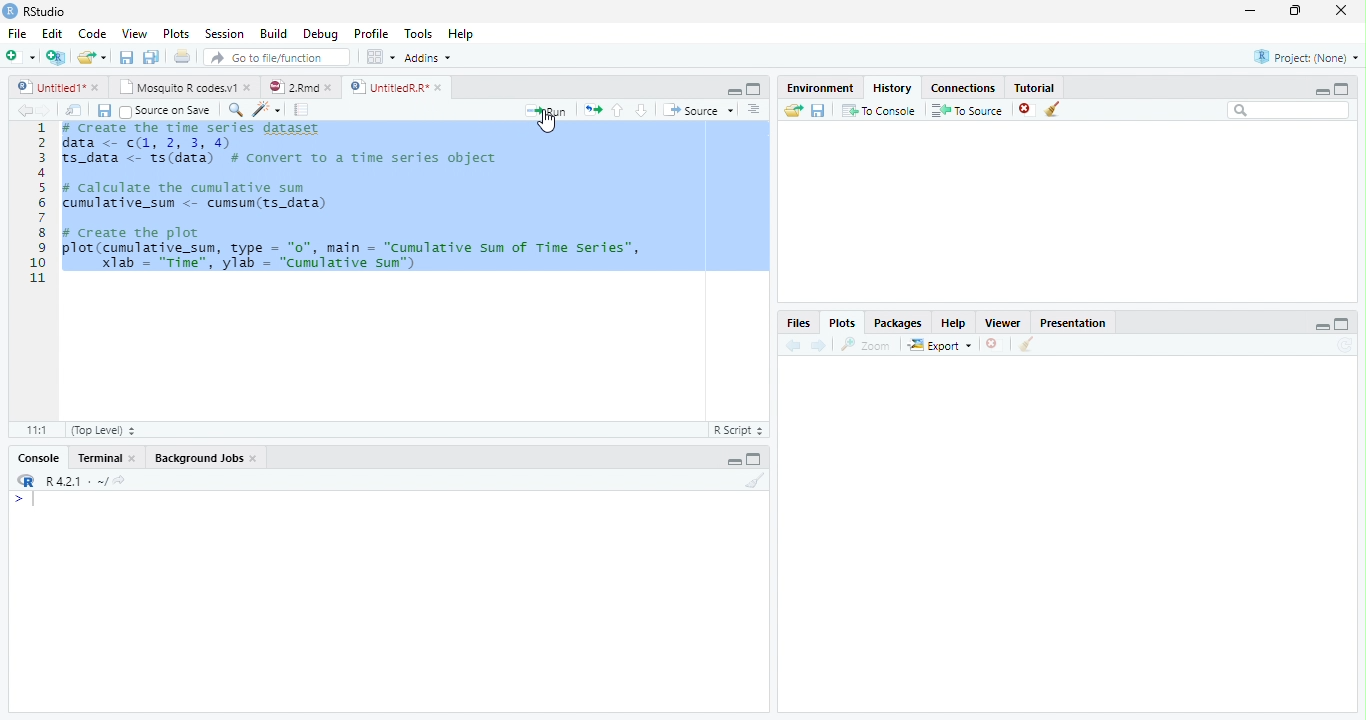  Describe the element at coordinates (41, 496) in the screenshot. I see `Input Cursor` at that location.